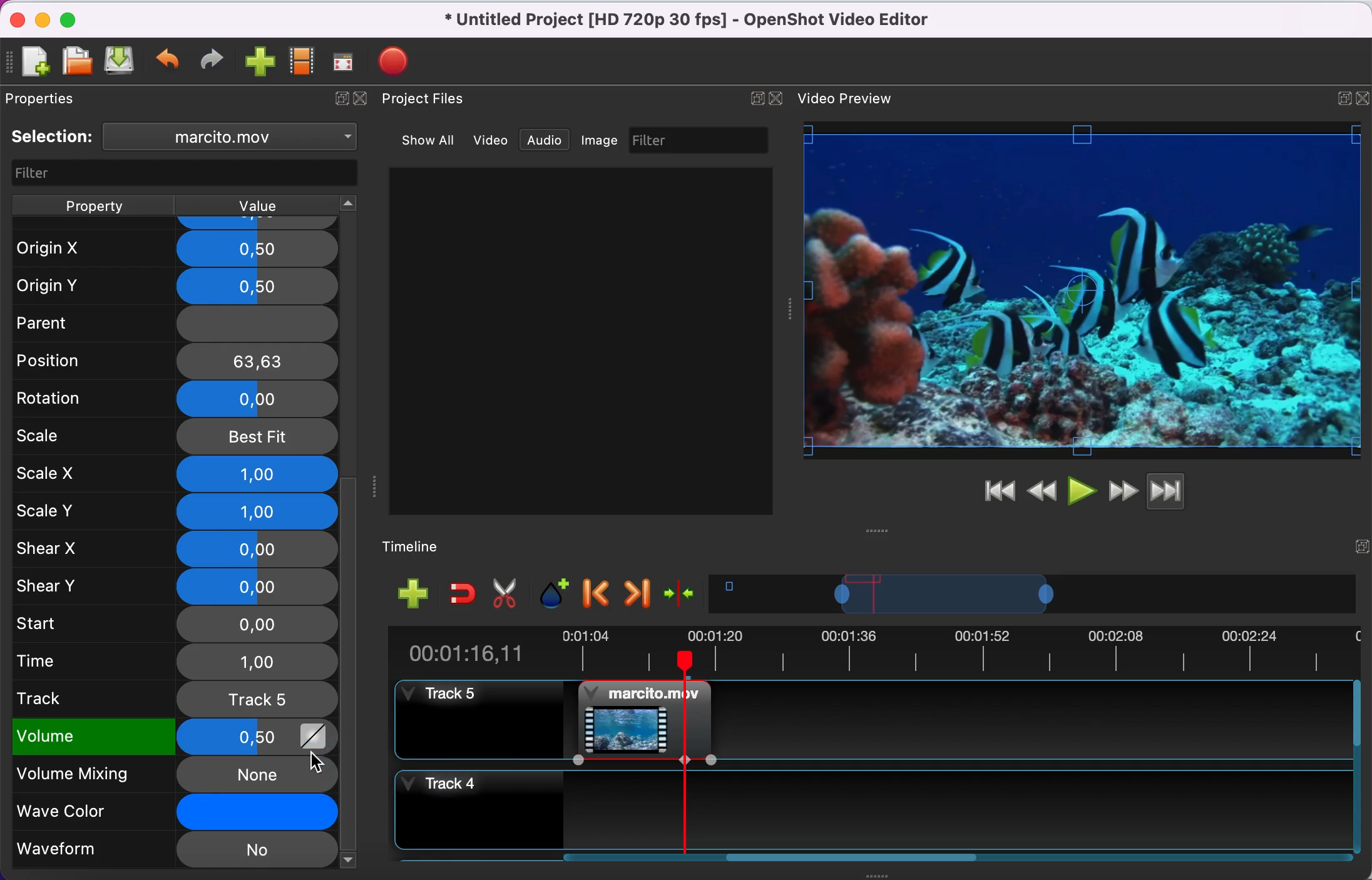 This screenshot has width=1372, height=880. What do you see at coordinates (1082, 489) in the screenshot?
I see `play` at bounding box center [1082, 489].